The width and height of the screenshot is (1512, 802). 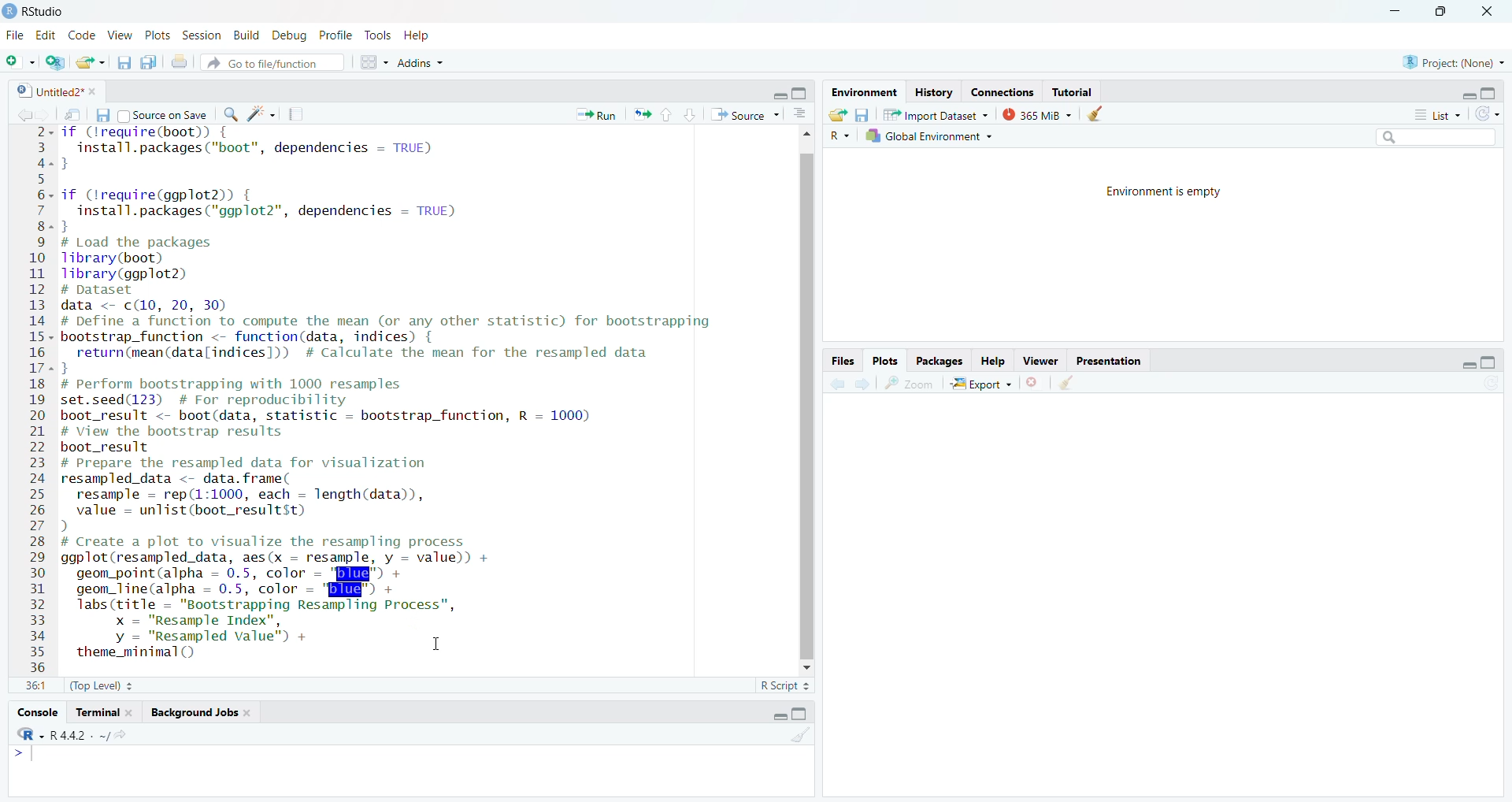 I want to click on Session, so click(x=202, y=38).